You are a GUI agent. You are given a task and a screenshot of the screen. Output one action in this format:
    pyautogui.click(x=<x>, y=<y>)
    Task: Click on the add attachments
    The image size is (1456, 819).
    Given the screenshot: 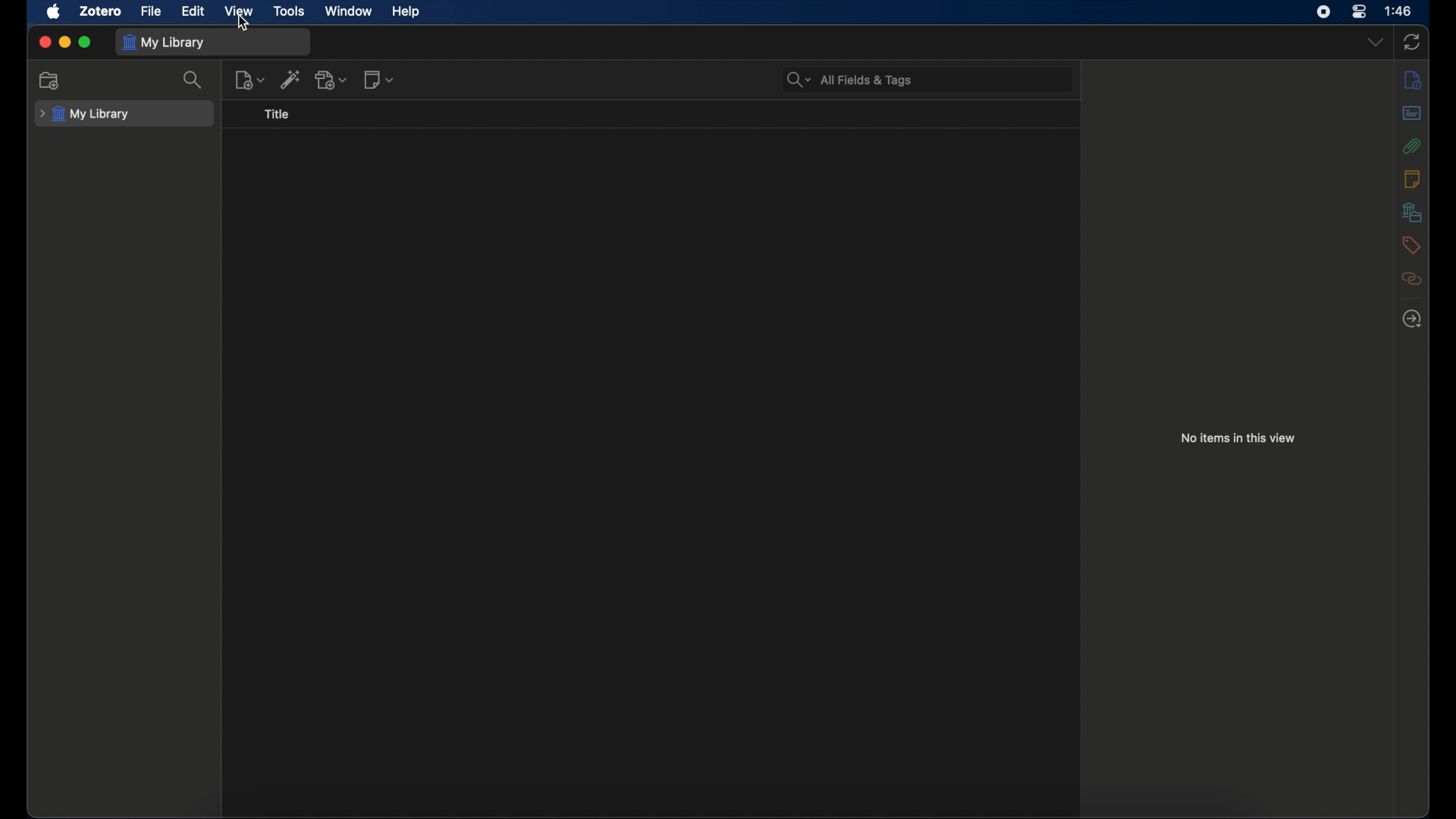 What is the action you would take?
    pyautogui.click(x=332, y=80)
    